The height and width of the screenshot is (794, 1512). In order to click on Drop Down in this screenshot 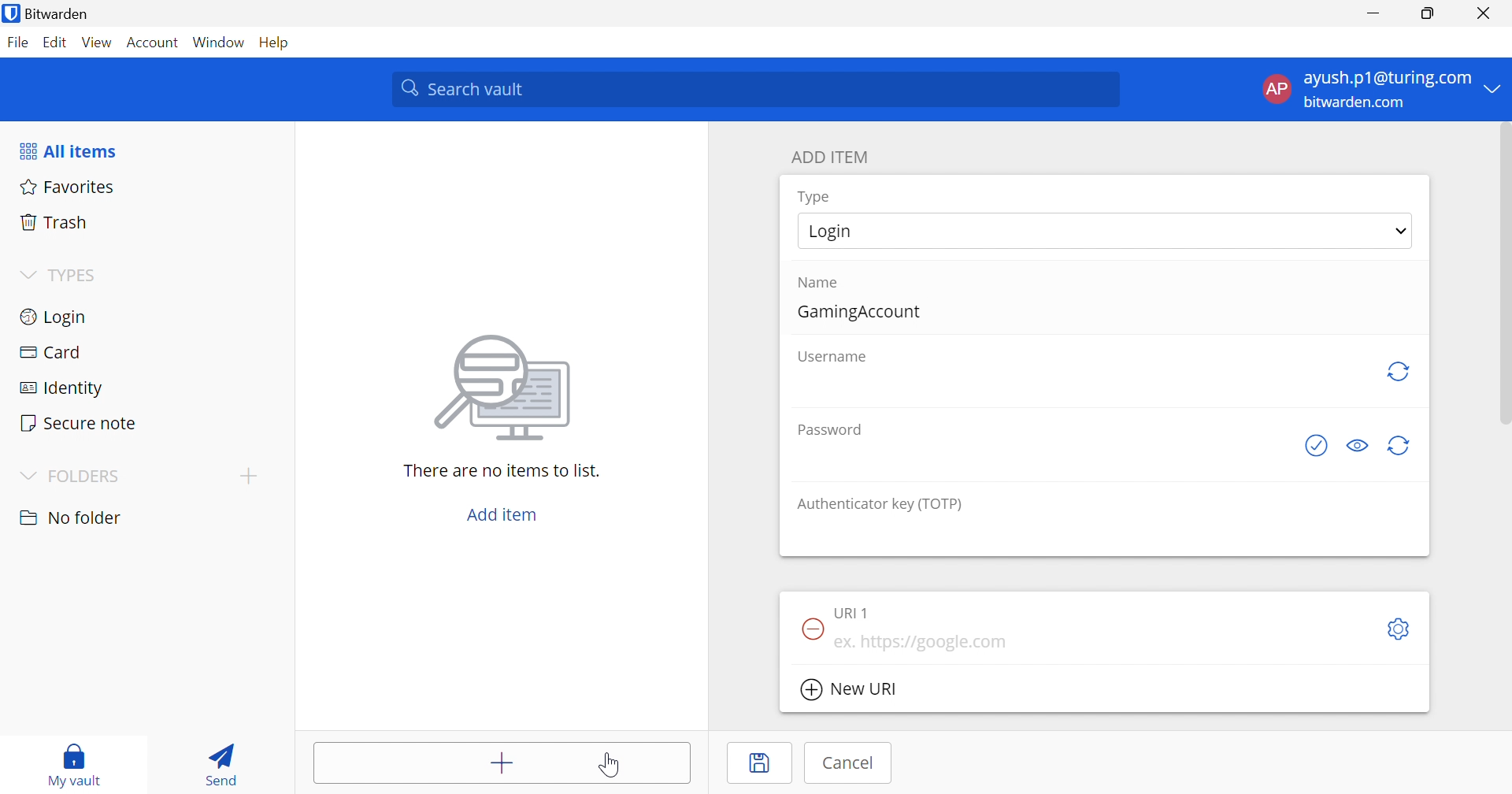, I will do `click(24, 475)`.